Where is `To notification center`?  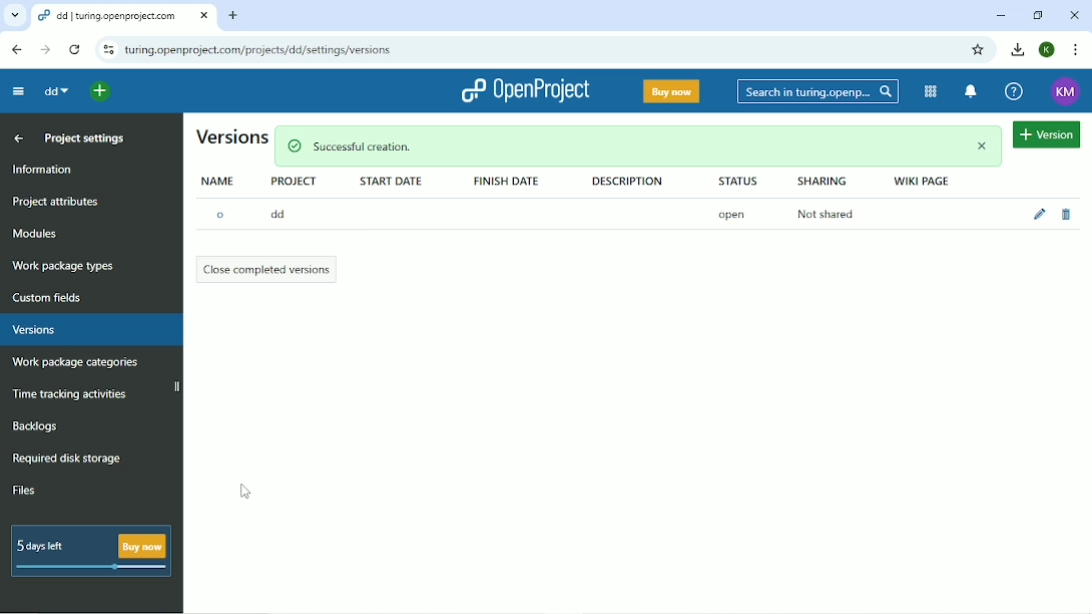
To notification center is located at coordinates (971, 91).